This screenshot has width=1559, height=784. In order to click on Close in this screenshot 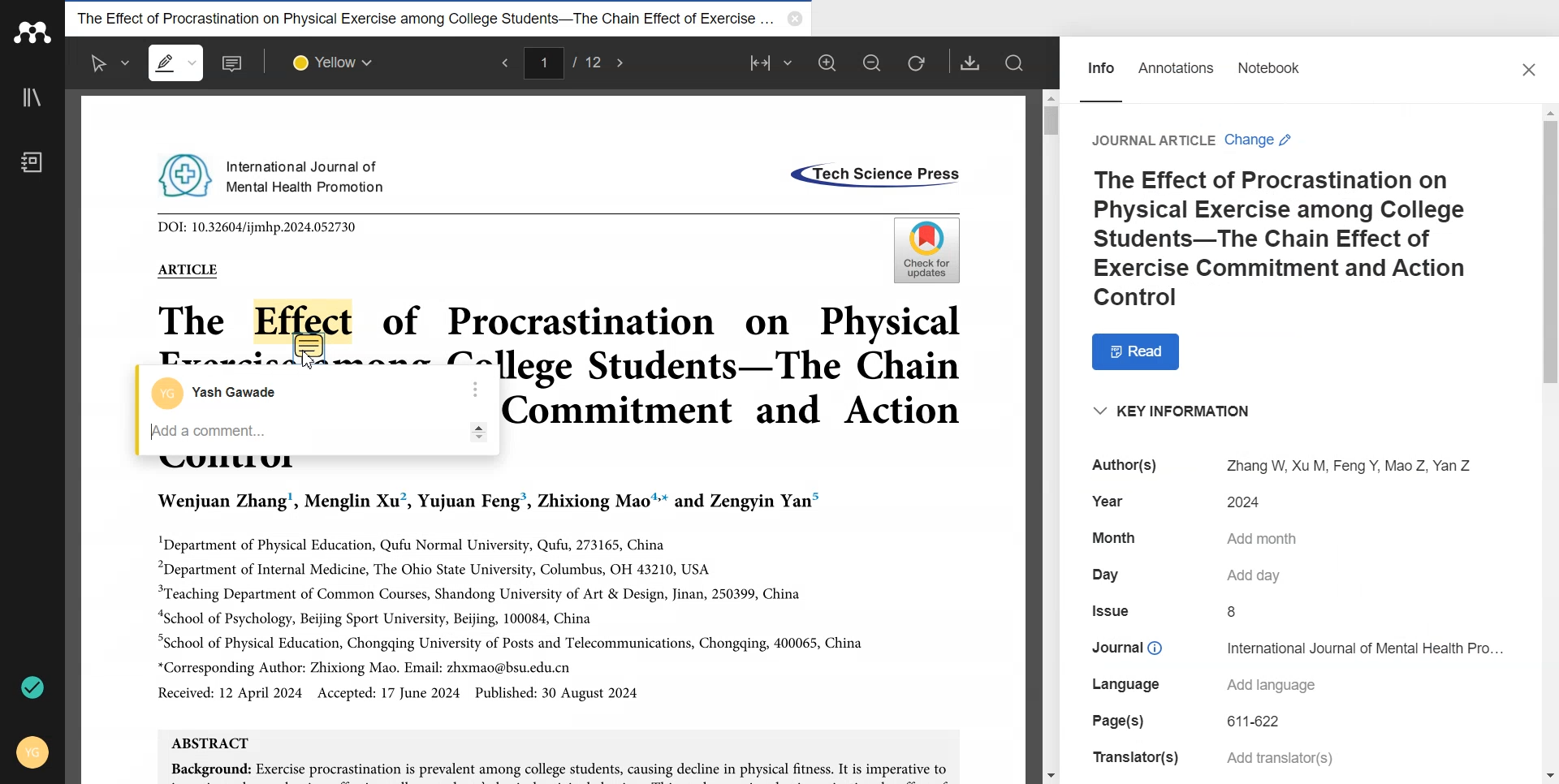, I will do `click(792, 19)`.